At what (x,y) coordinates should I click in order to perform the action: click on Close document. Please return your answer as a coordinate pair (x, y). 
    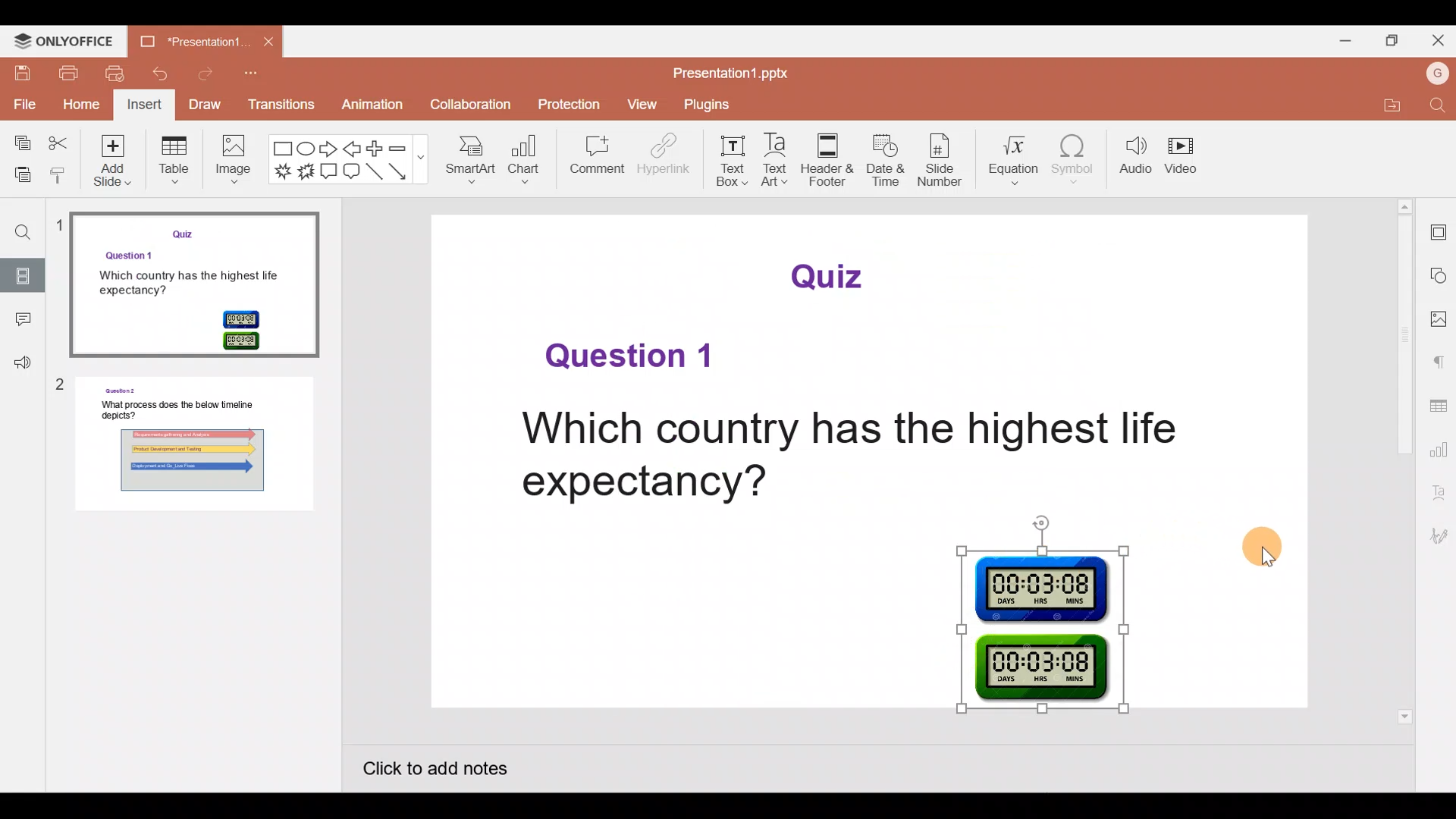
    Looking at the image, I should click on (268, 44).